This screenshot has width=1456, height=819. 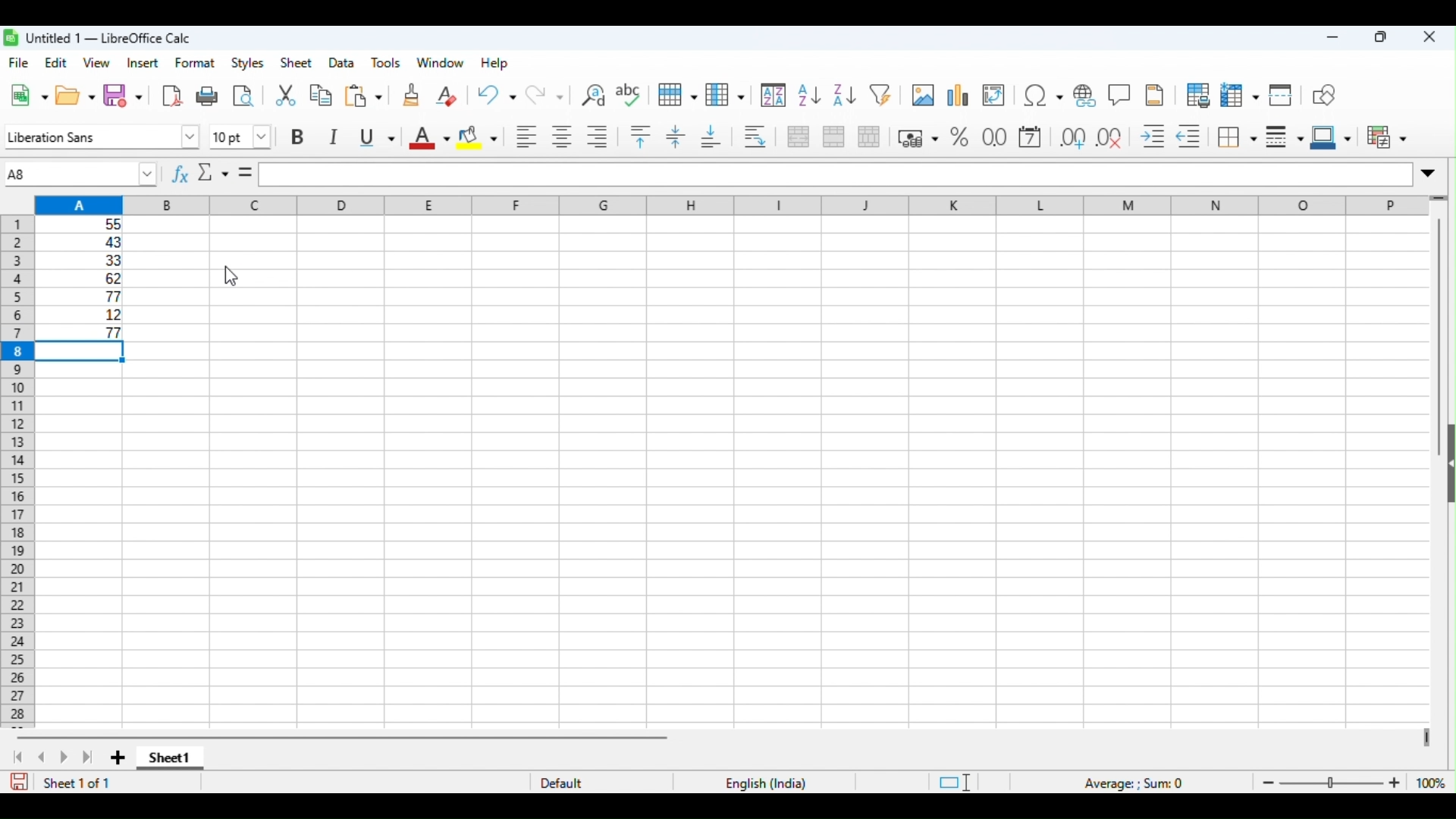 I want to click on filter, so click(x=882, y=95).